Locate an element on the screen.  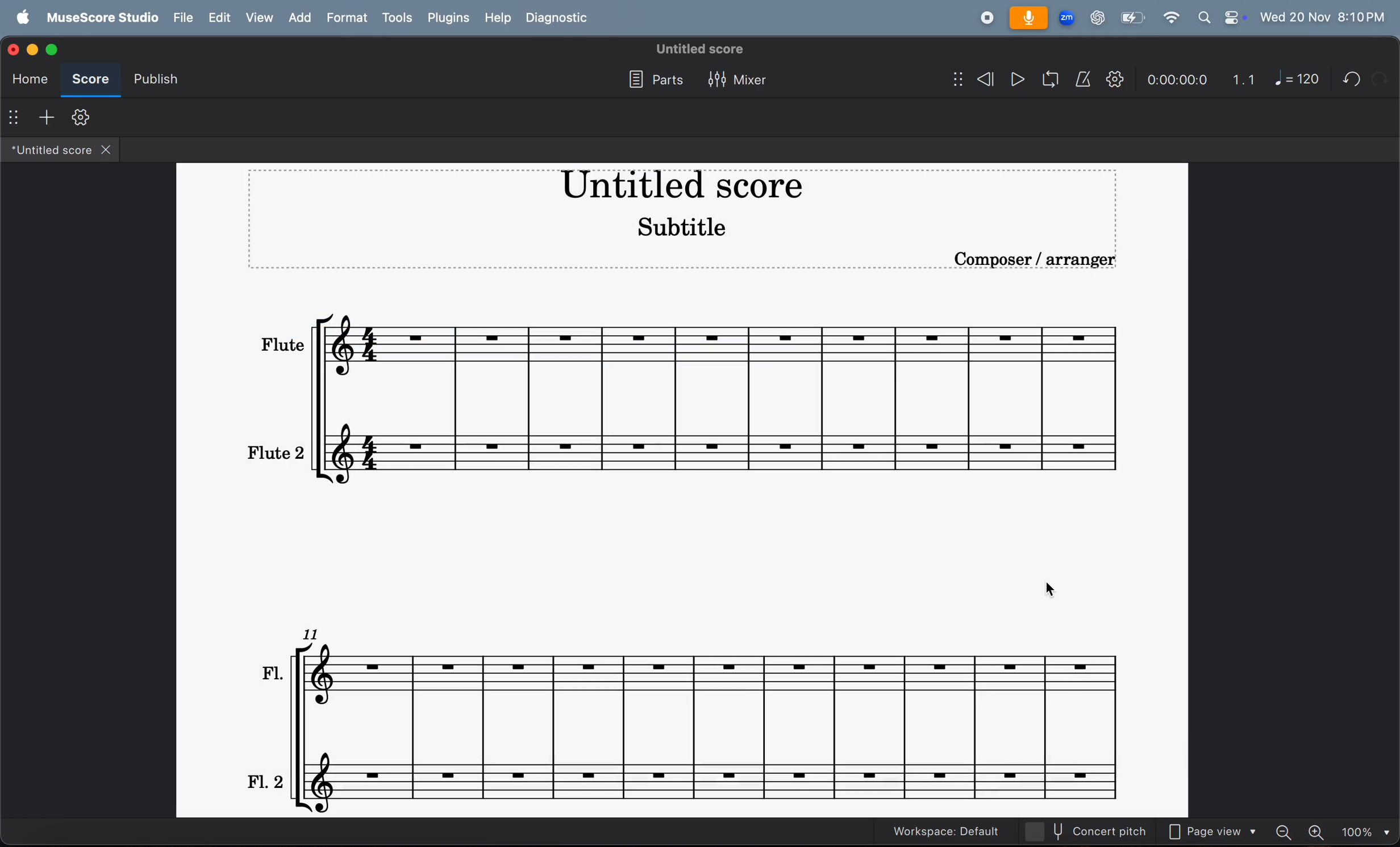
time frame is located at coordinates (1178, 78).